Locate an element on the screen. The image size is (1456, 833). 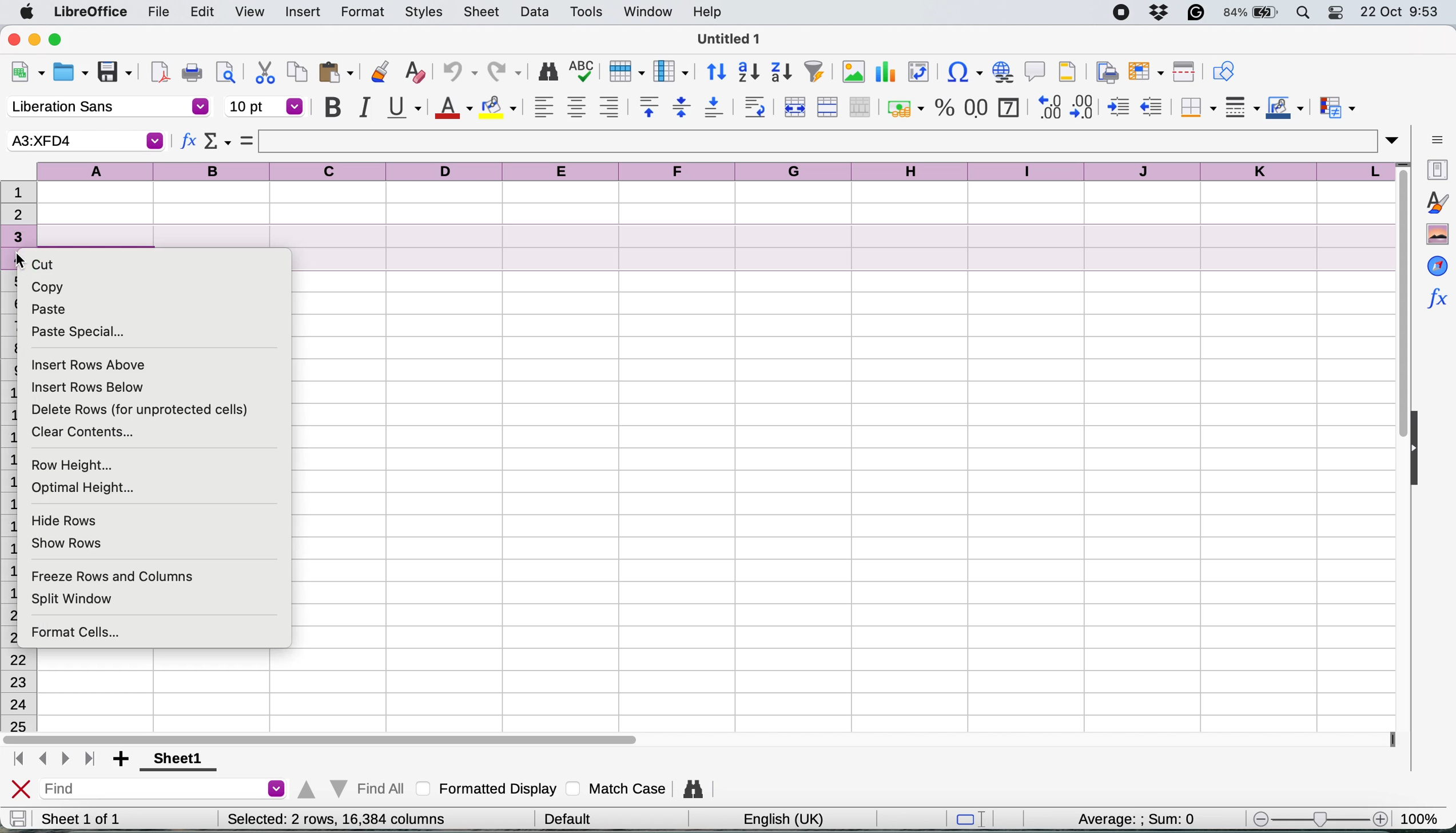
show draw functions is located at coordinates (1223, 70).